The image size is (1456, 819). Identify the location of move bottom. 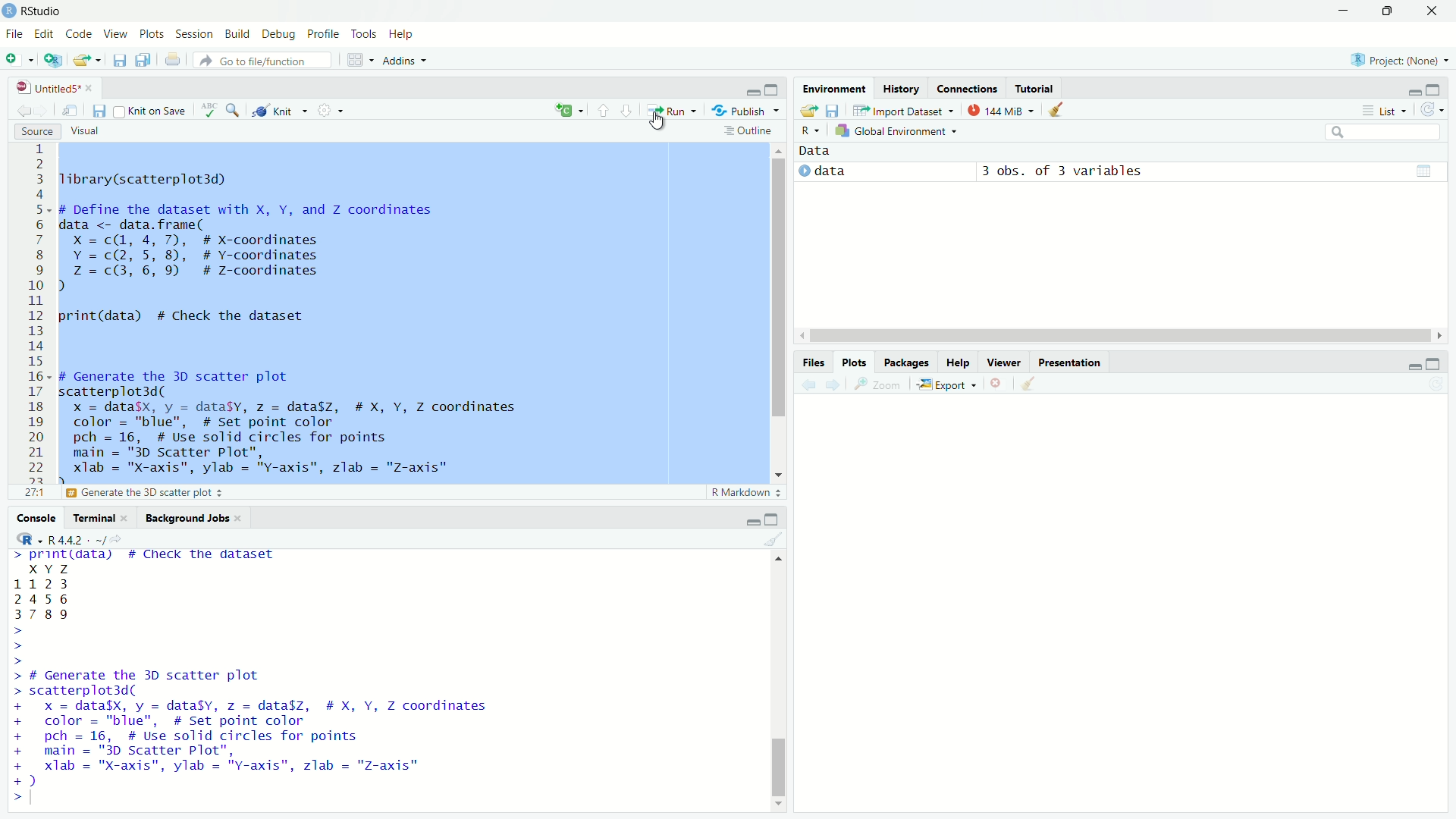
(778, 804).